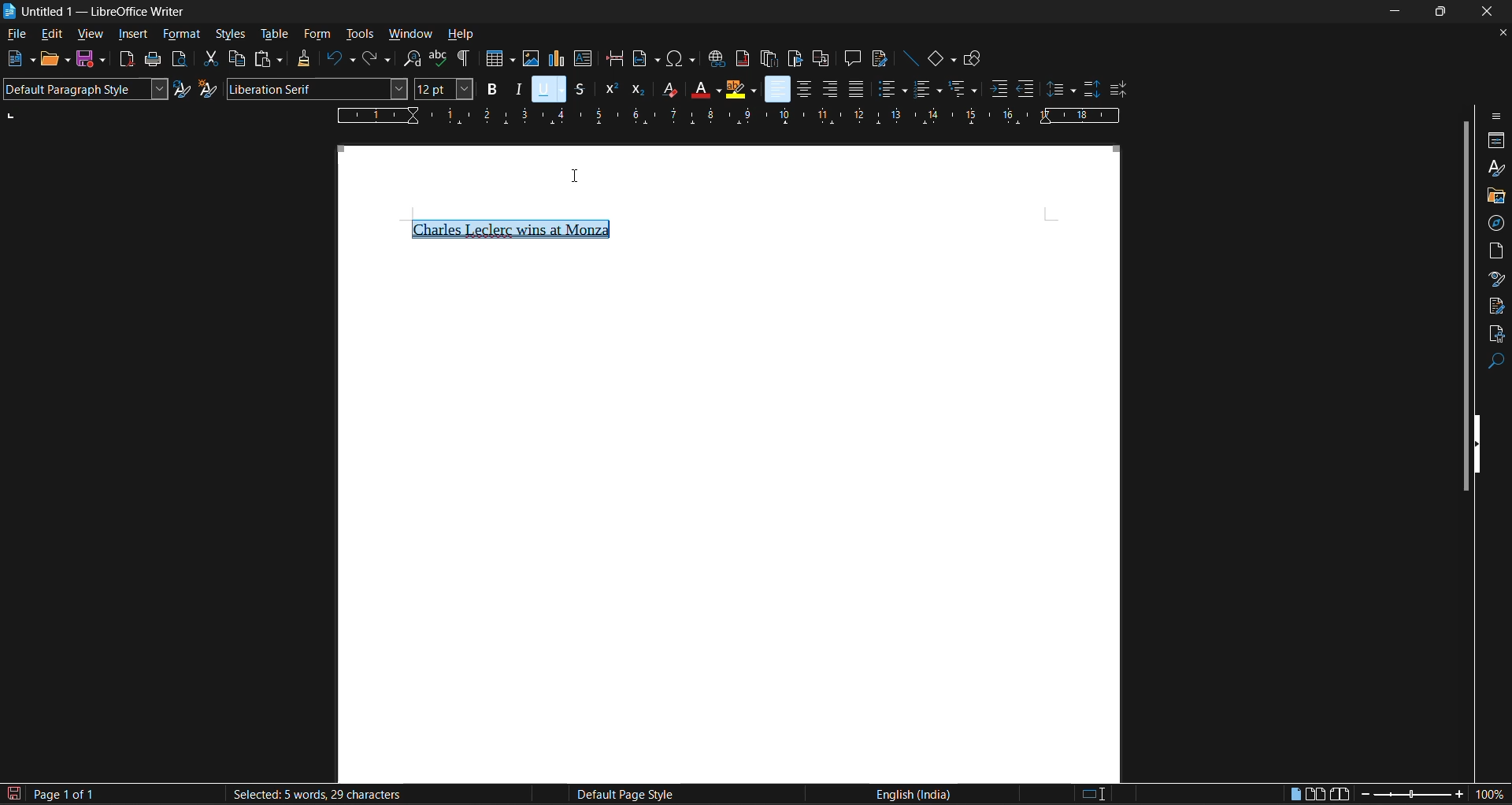 The image size is (1512, 805). I want to click on format, so click(182, 35).